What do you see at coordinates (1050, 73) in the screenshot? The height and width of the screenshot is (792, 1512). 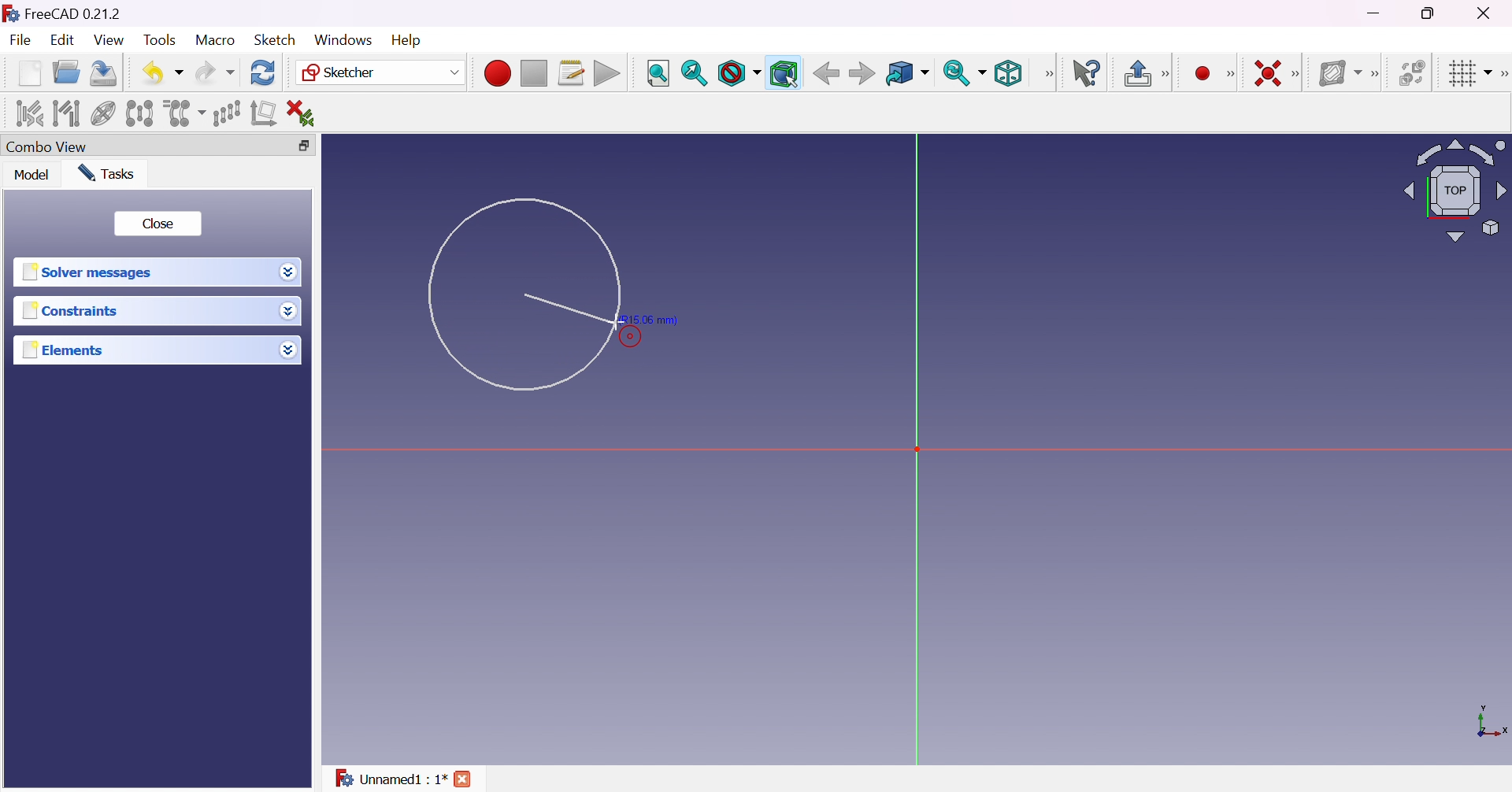 I see `View` at bounding box center [1050, 73].